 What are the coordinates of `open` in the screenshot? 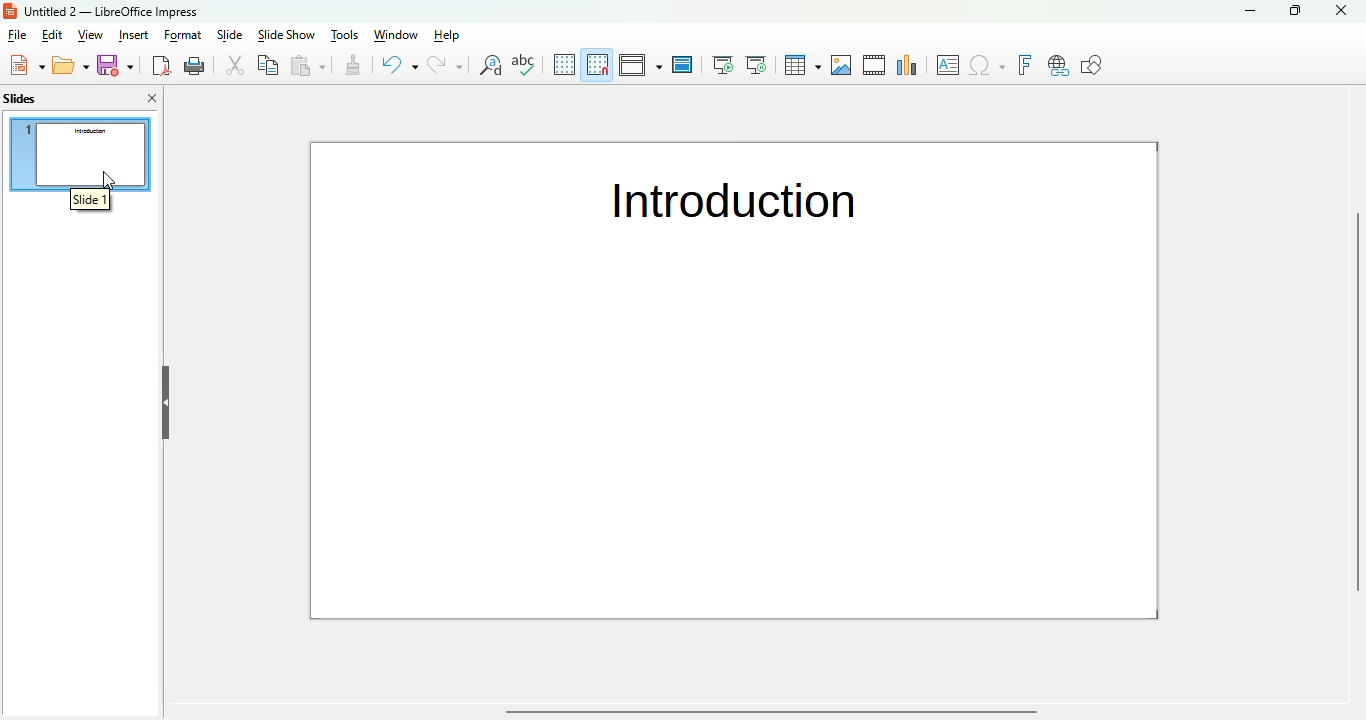 It's located at (71, 65).